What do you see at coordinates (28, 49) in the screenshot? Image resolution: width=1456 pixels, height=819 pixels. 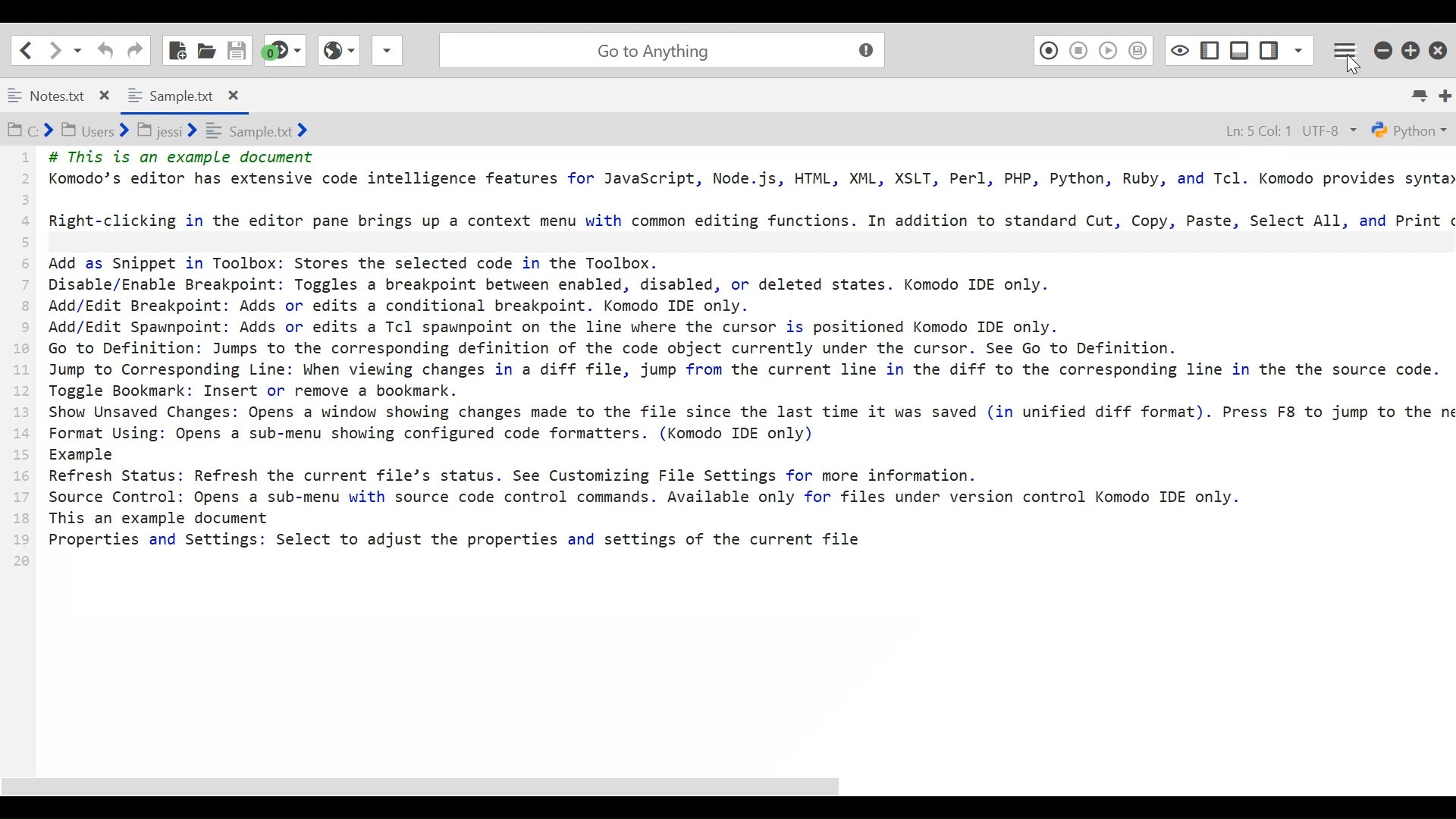 I see `Go back one location` at bounding box center [28, 49].